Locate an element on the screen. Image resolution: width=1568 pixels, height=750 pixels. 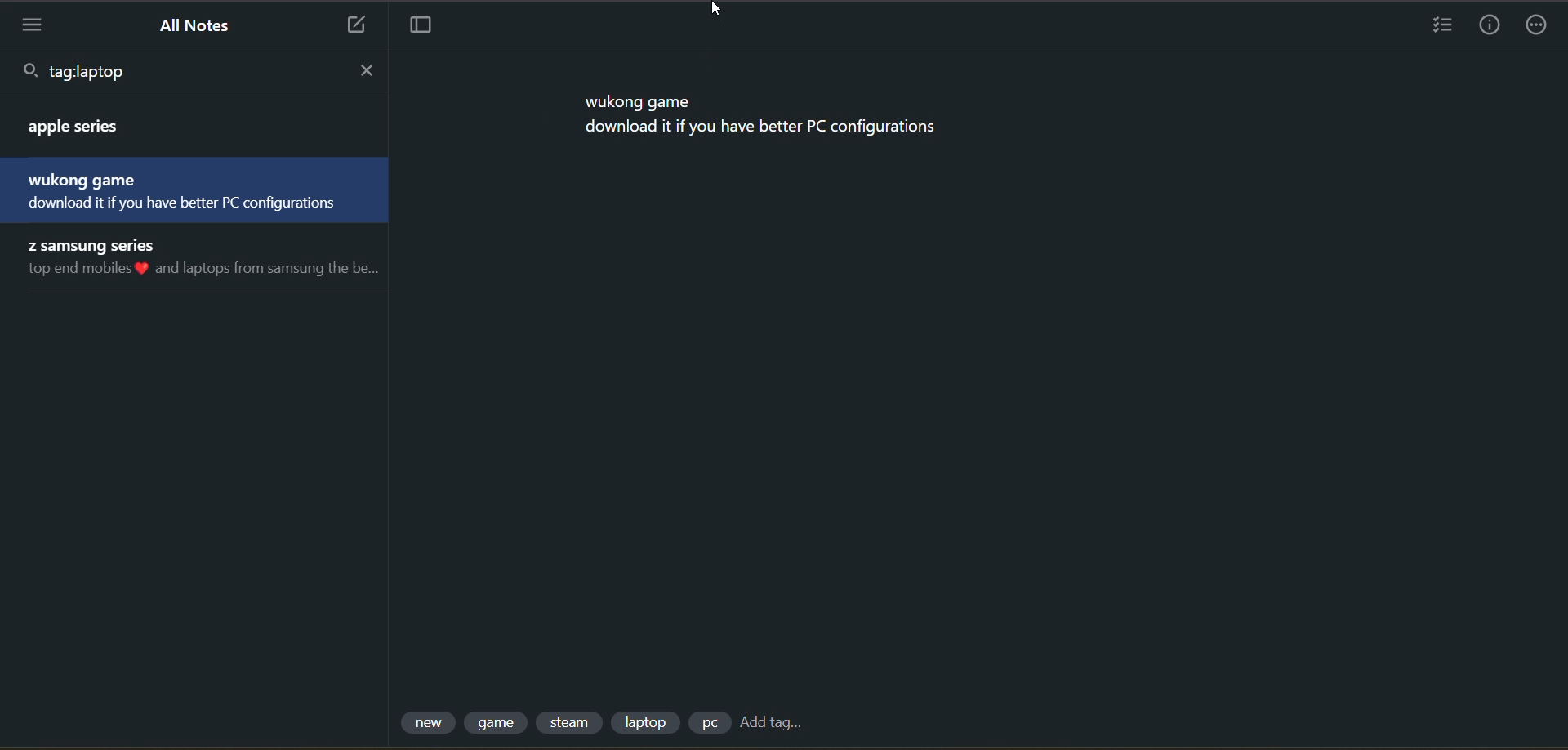
menu is located at coordinates (28, 25).